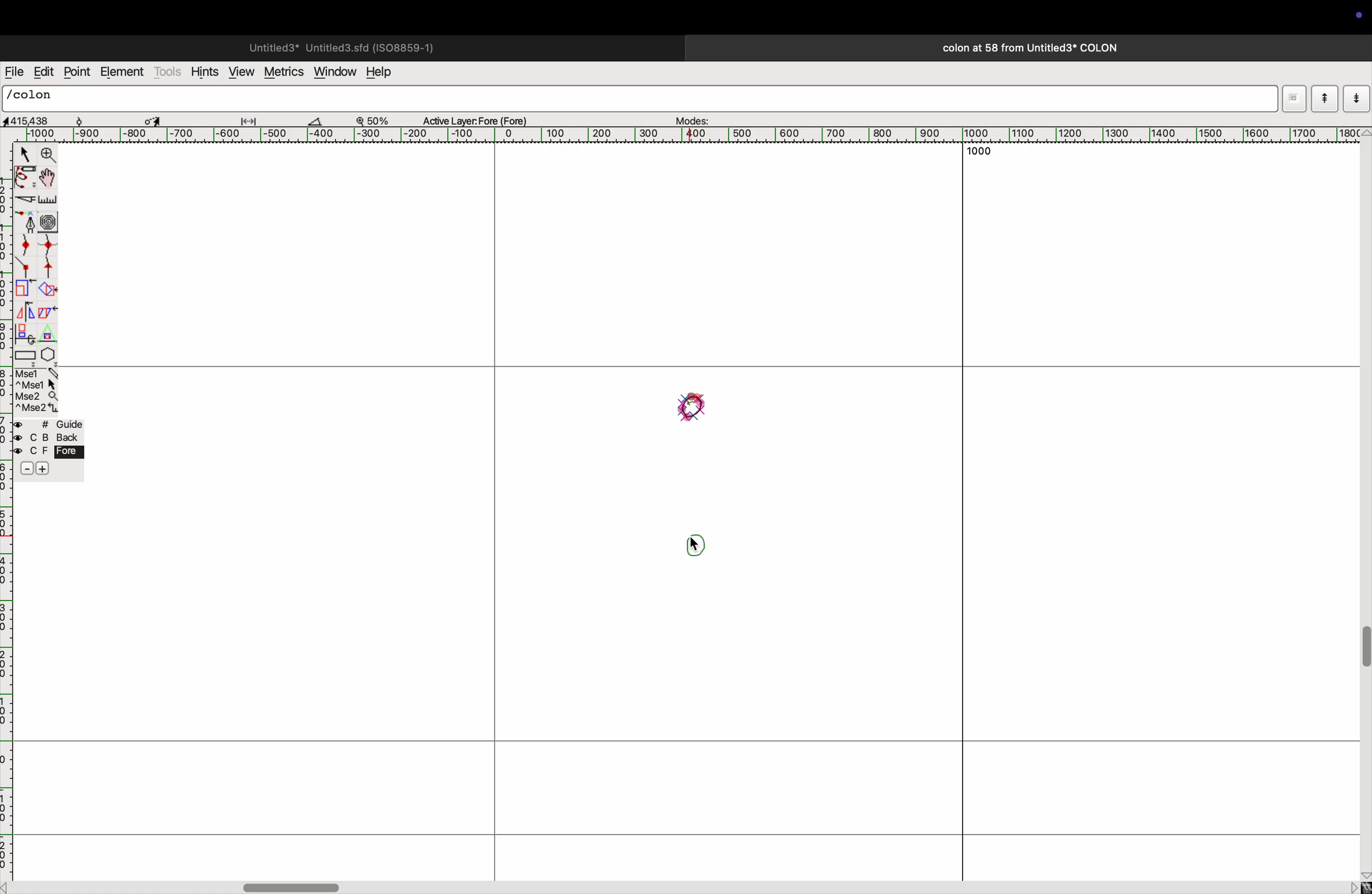 Image resolution: width=1372 pixels, height=894 pixels. Describe the element at coordinates (253, 118) in the screenshot. I see `adjust` at that location.